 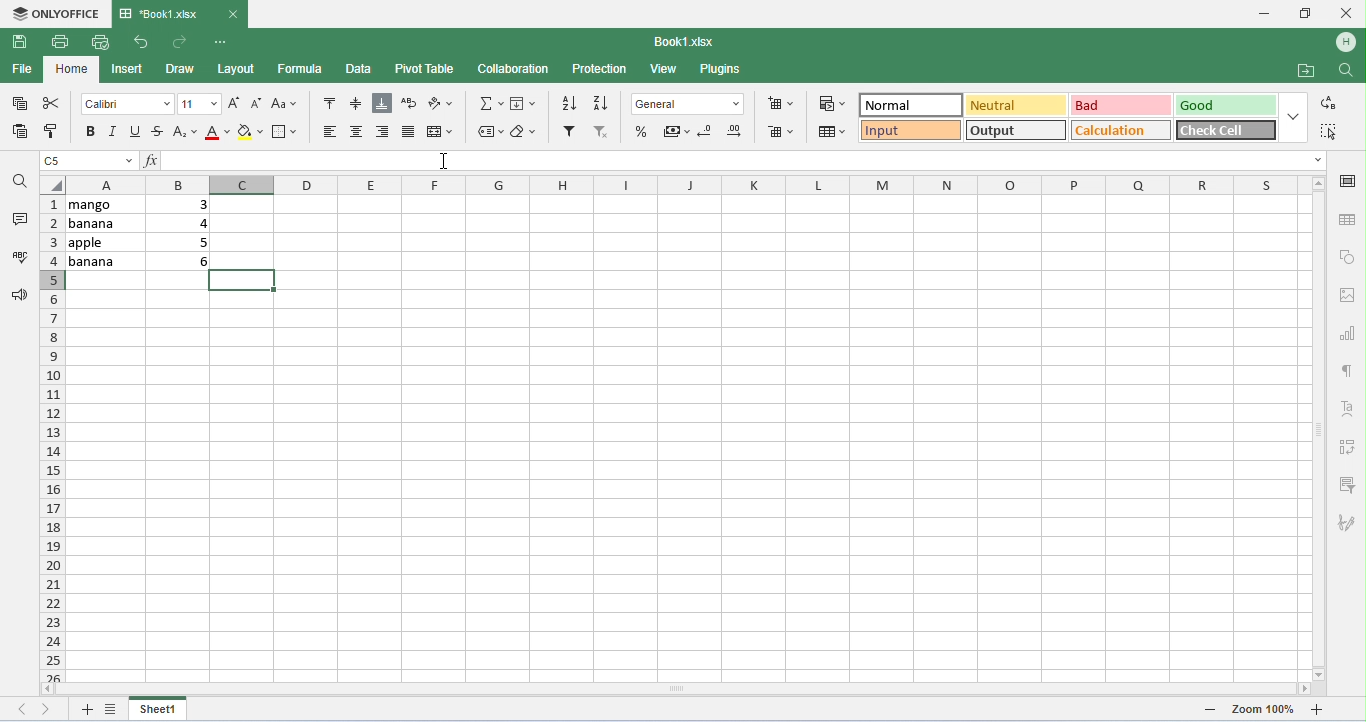 I want to click on background color, so click(x=248, y=133).